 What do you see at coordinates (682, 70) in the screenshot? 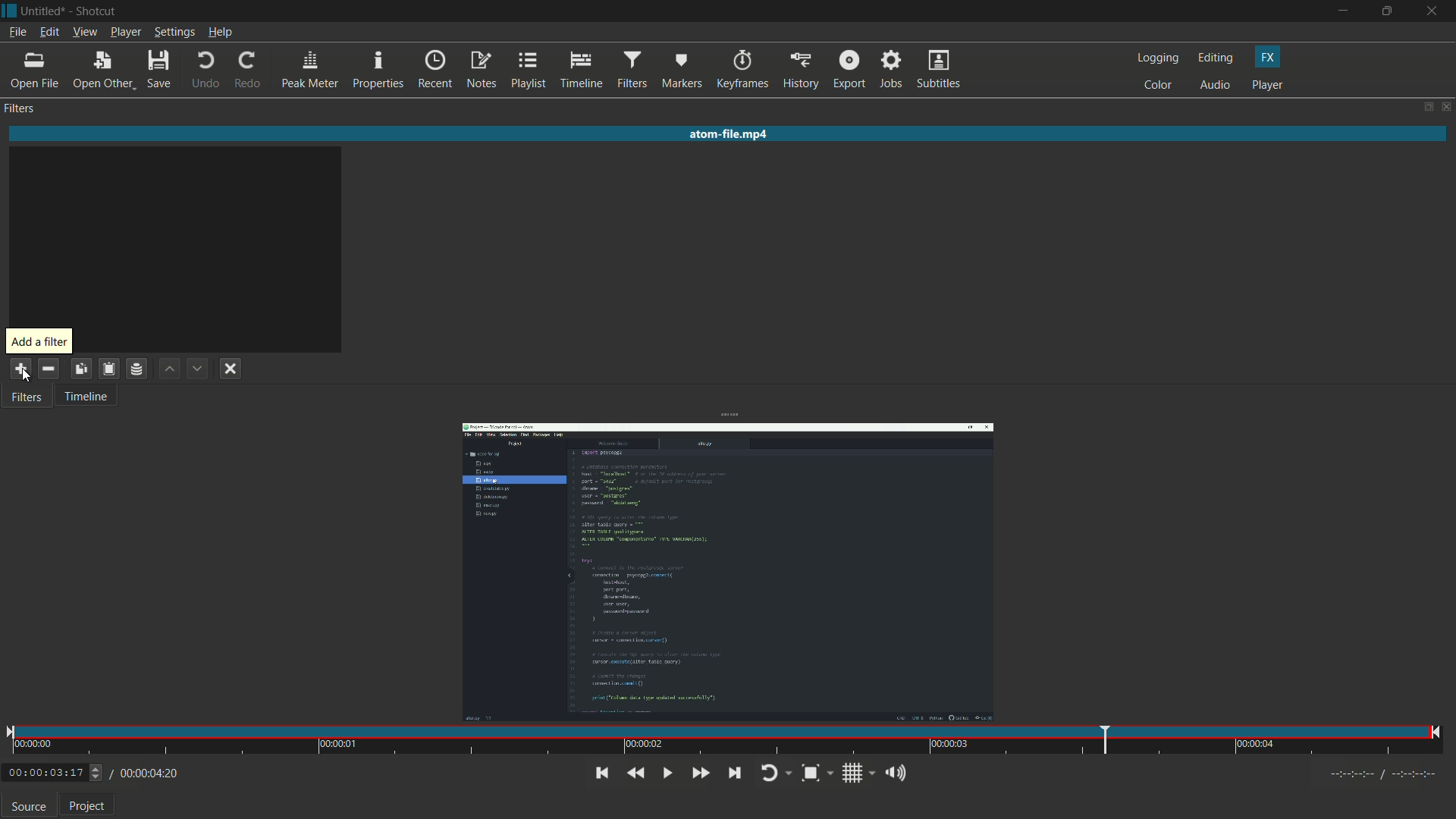
I see `markers` at bounding box center [682, 70].